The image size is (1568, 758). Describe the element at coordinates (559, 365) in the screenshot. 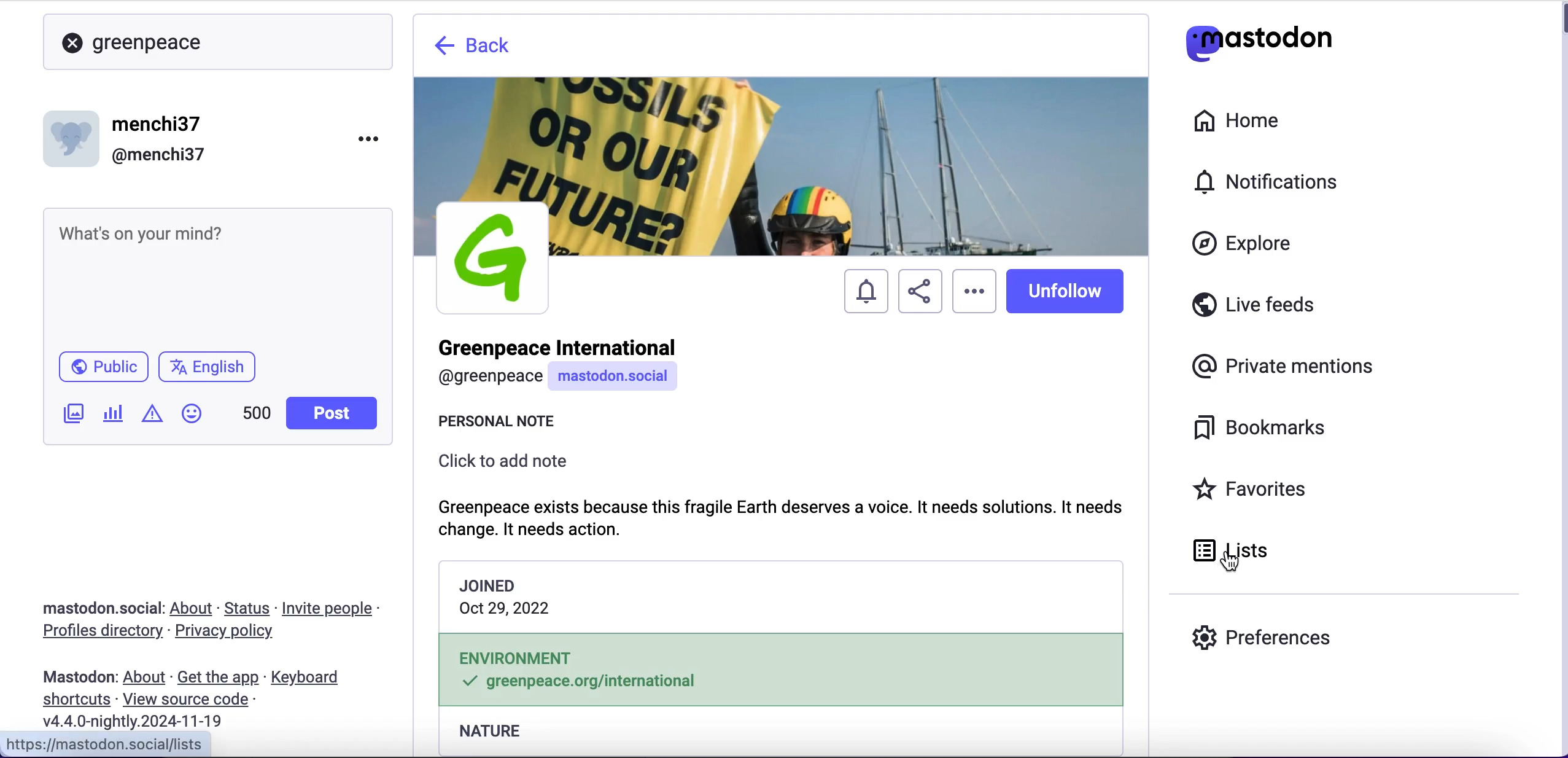

I see `user ` at that location.